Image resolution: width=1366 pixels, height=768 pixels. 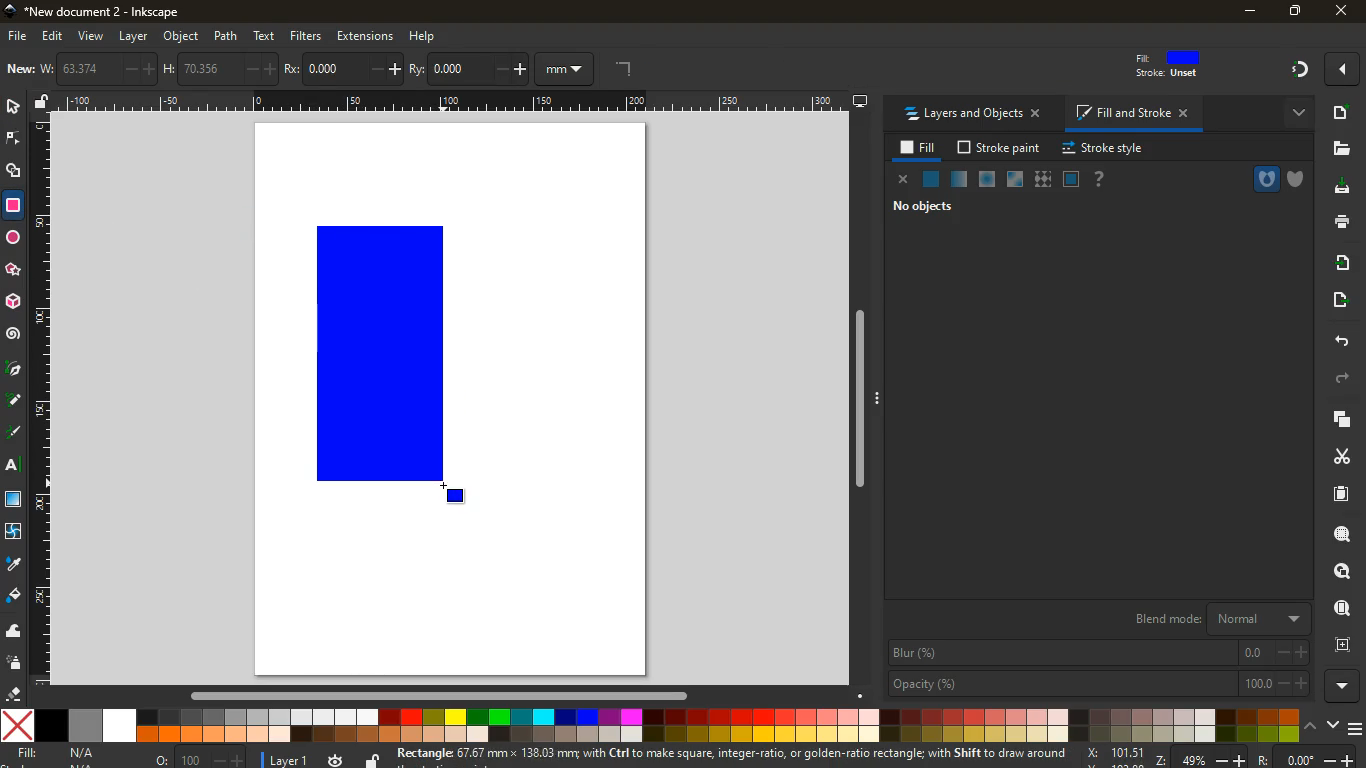 I want to click on glass, so click(x=1070, y=179).